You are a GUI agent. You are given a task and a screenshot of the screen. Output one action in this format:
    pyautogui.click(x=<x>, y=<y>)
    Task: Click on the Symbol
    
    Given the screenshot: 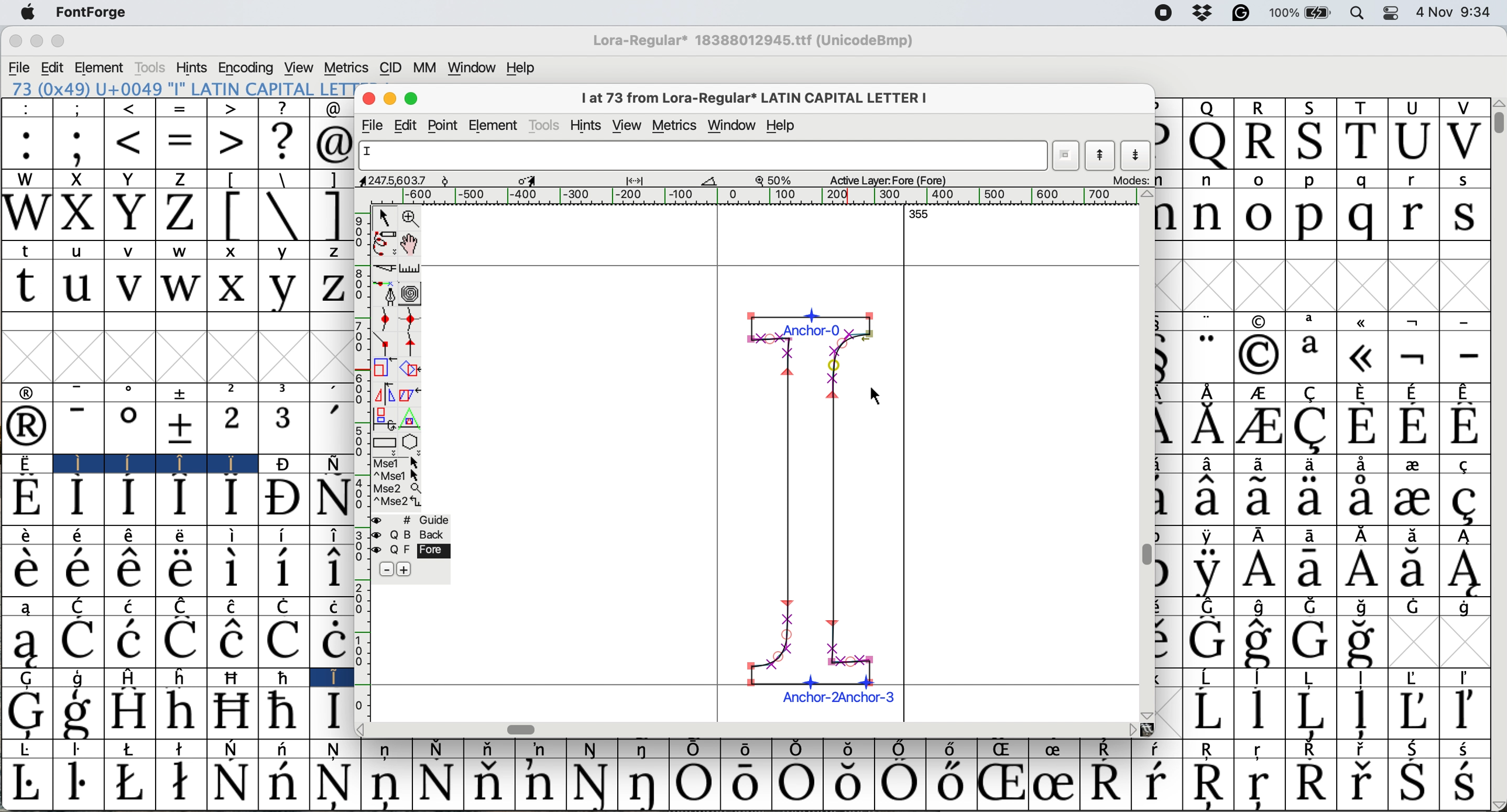 What is the action you would take?
    pyautogui.click(x=1365, y=678)
    